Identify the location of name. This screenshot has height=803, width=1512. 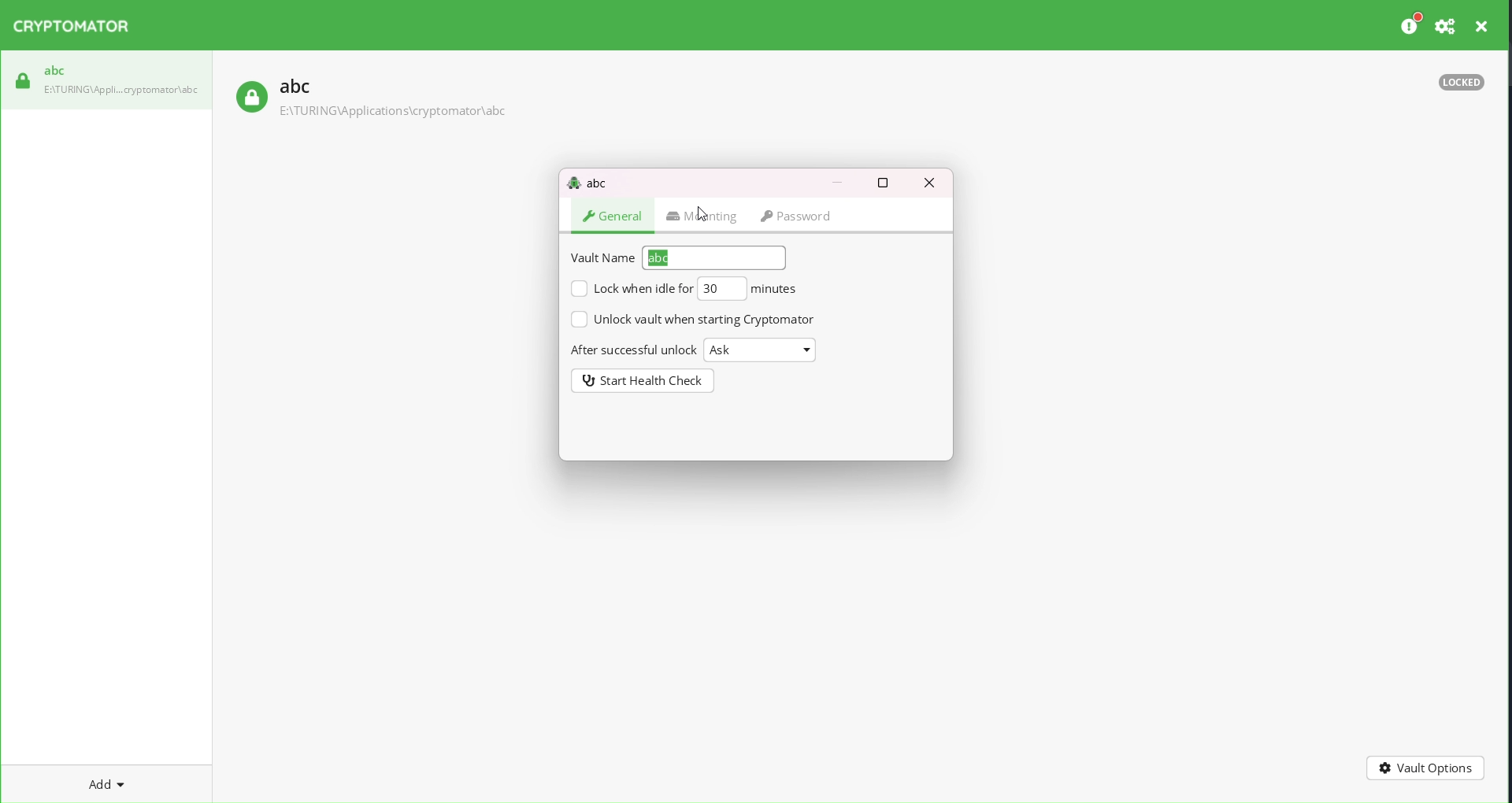
(717, 257).